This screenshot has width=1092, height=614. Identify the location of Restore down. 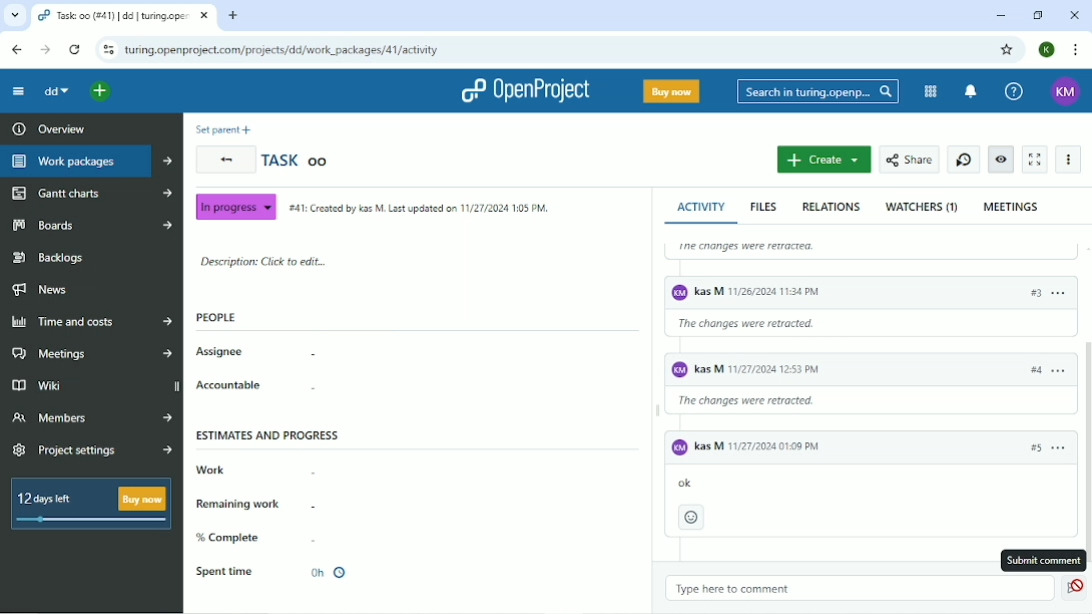
(1039, 16).